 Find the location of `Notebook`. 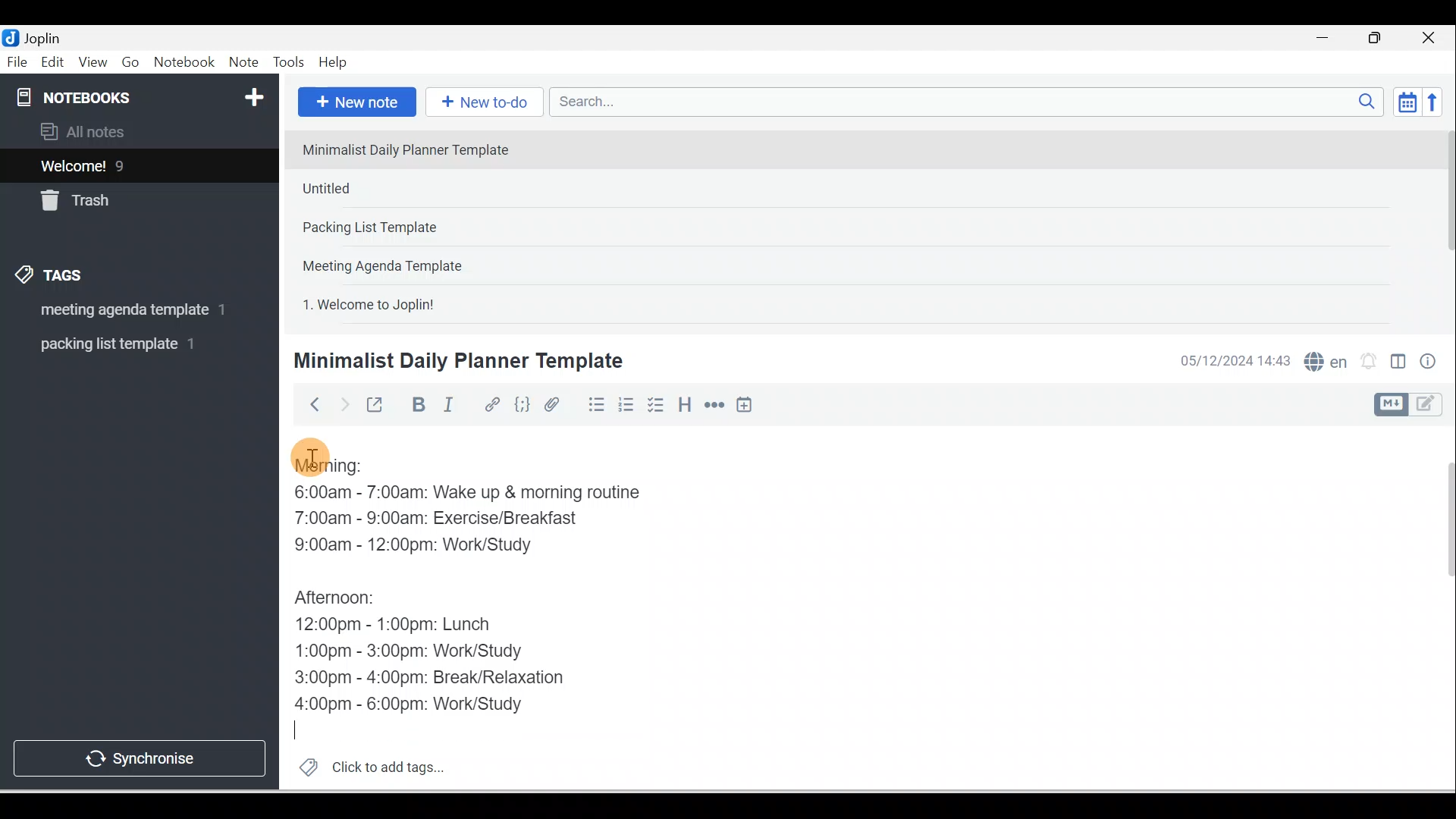

Notebook is located at coordinates (184, 63).